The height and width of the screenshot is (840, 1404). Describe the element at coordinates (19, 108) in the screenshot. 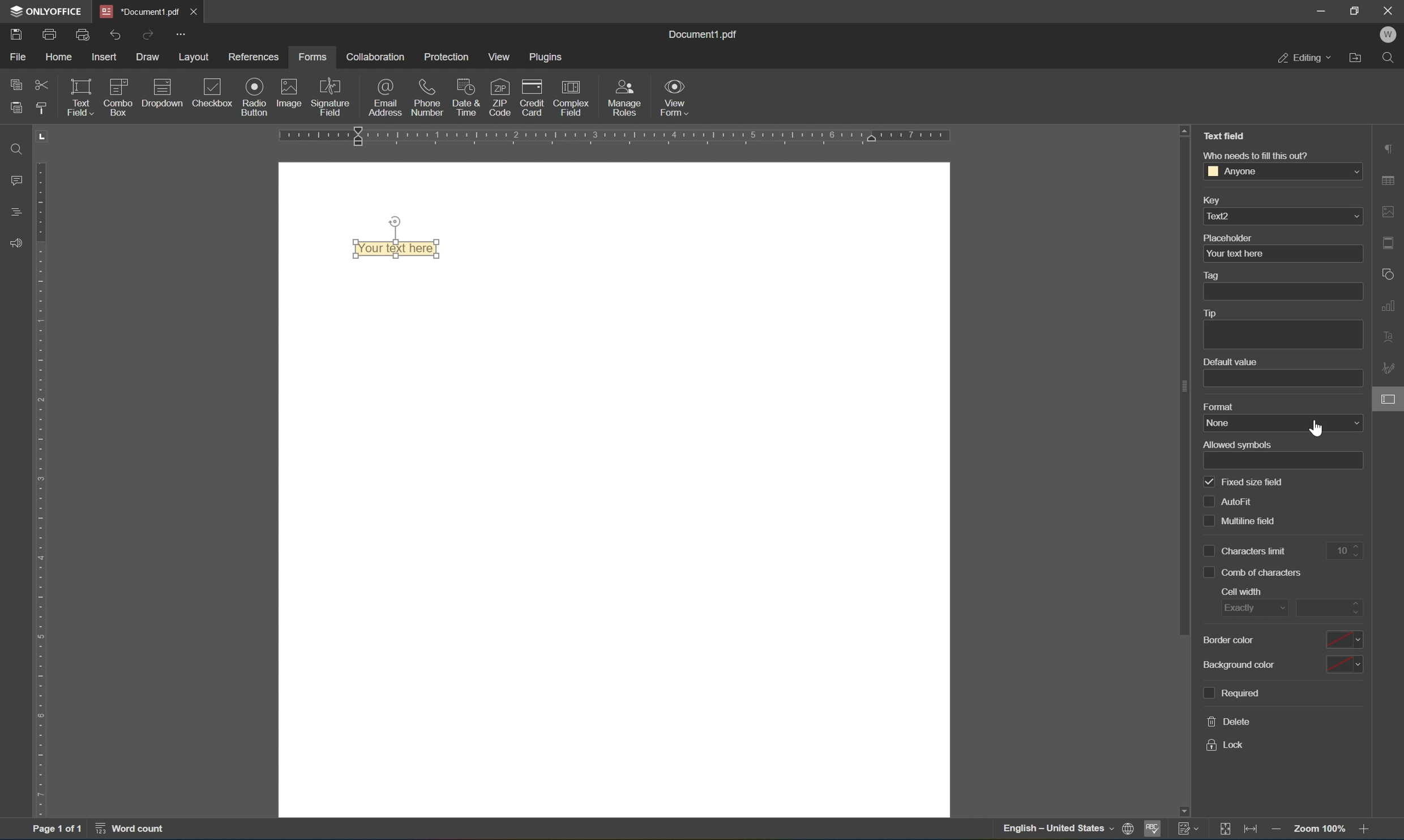

I see `paste` at that location.